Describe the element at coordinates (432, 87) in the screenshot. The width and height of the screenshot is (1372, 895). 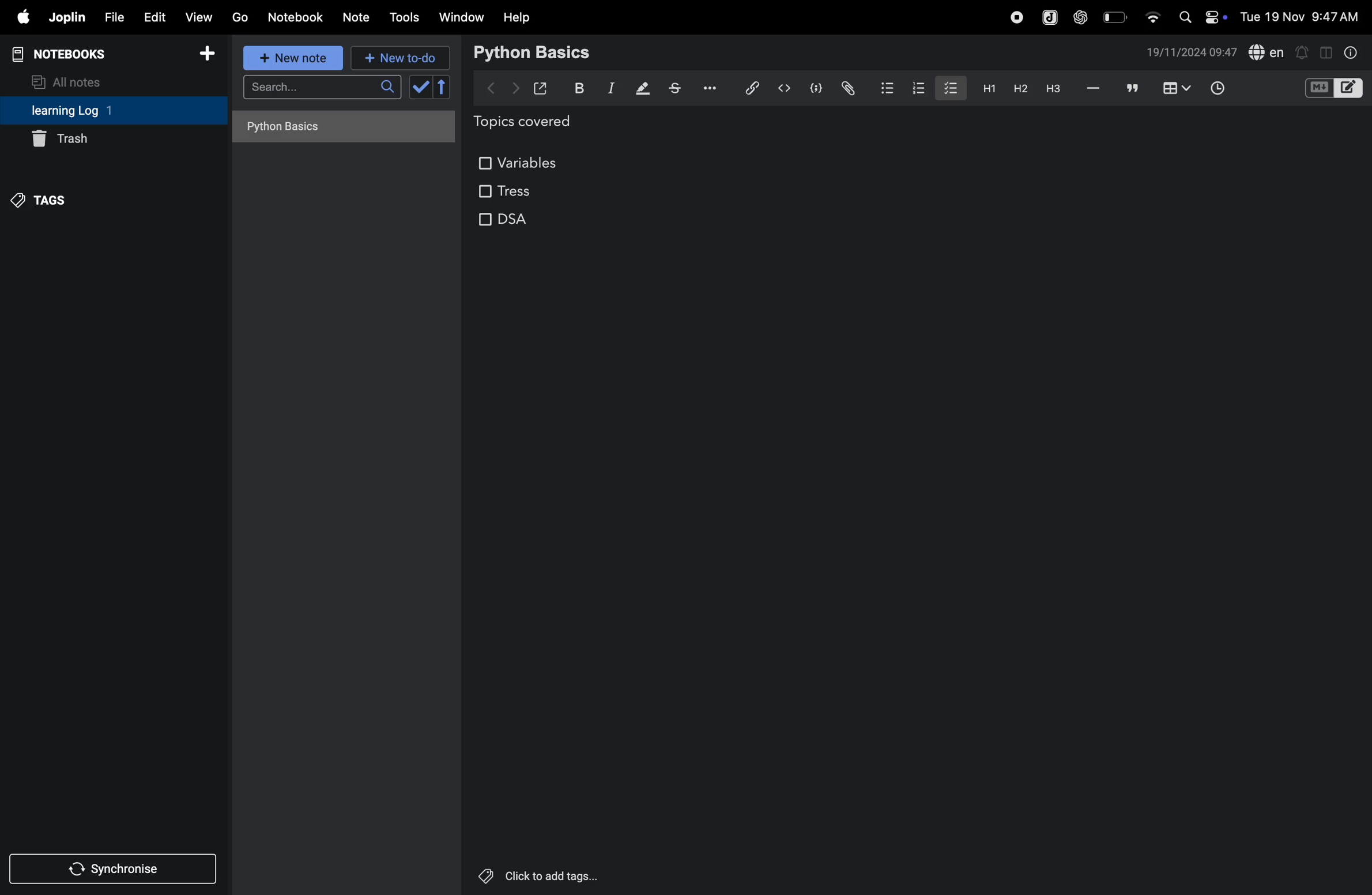
I see `check box` at that location.